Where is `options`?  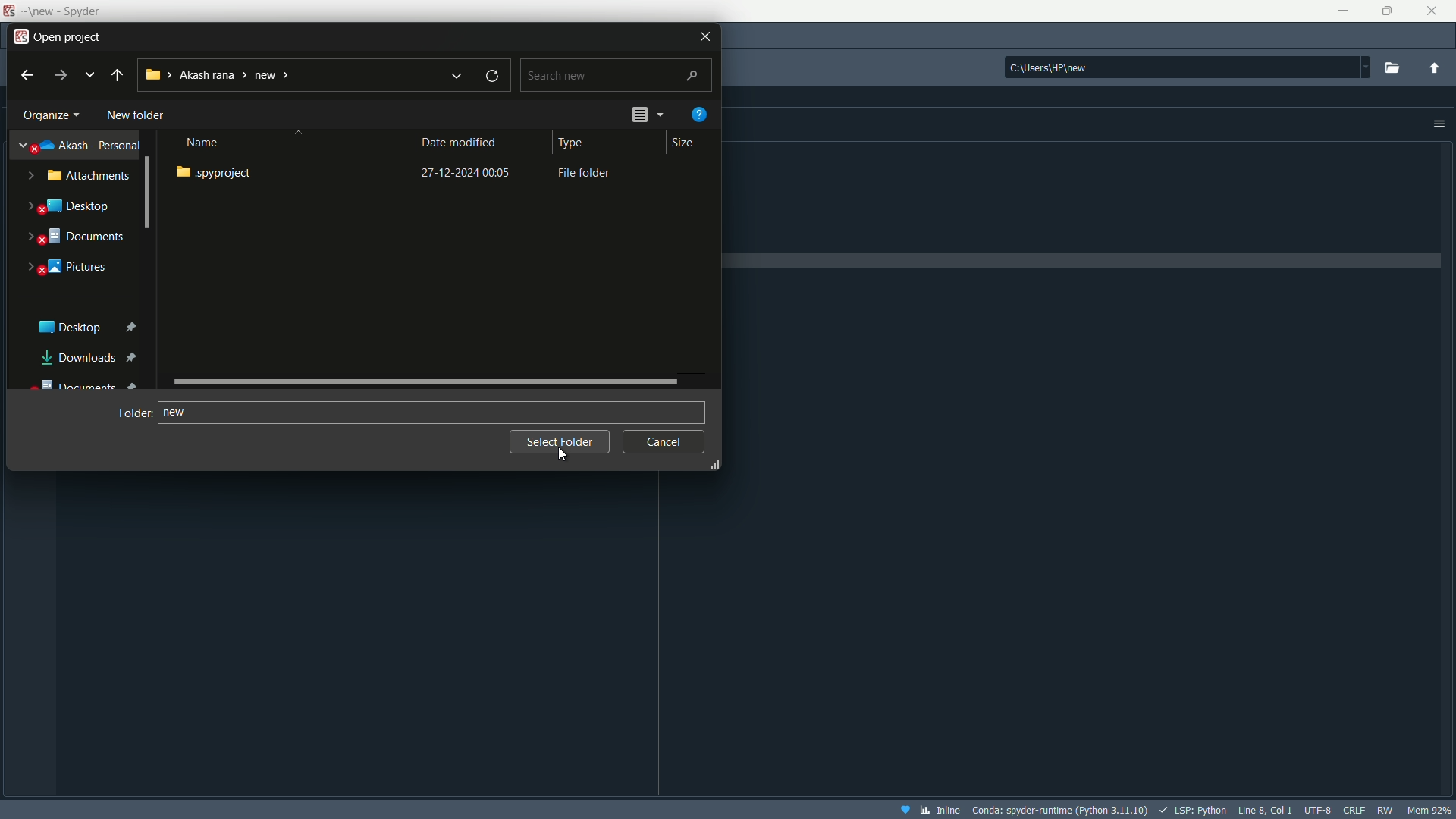
options is located at coordinates (1439, 124).